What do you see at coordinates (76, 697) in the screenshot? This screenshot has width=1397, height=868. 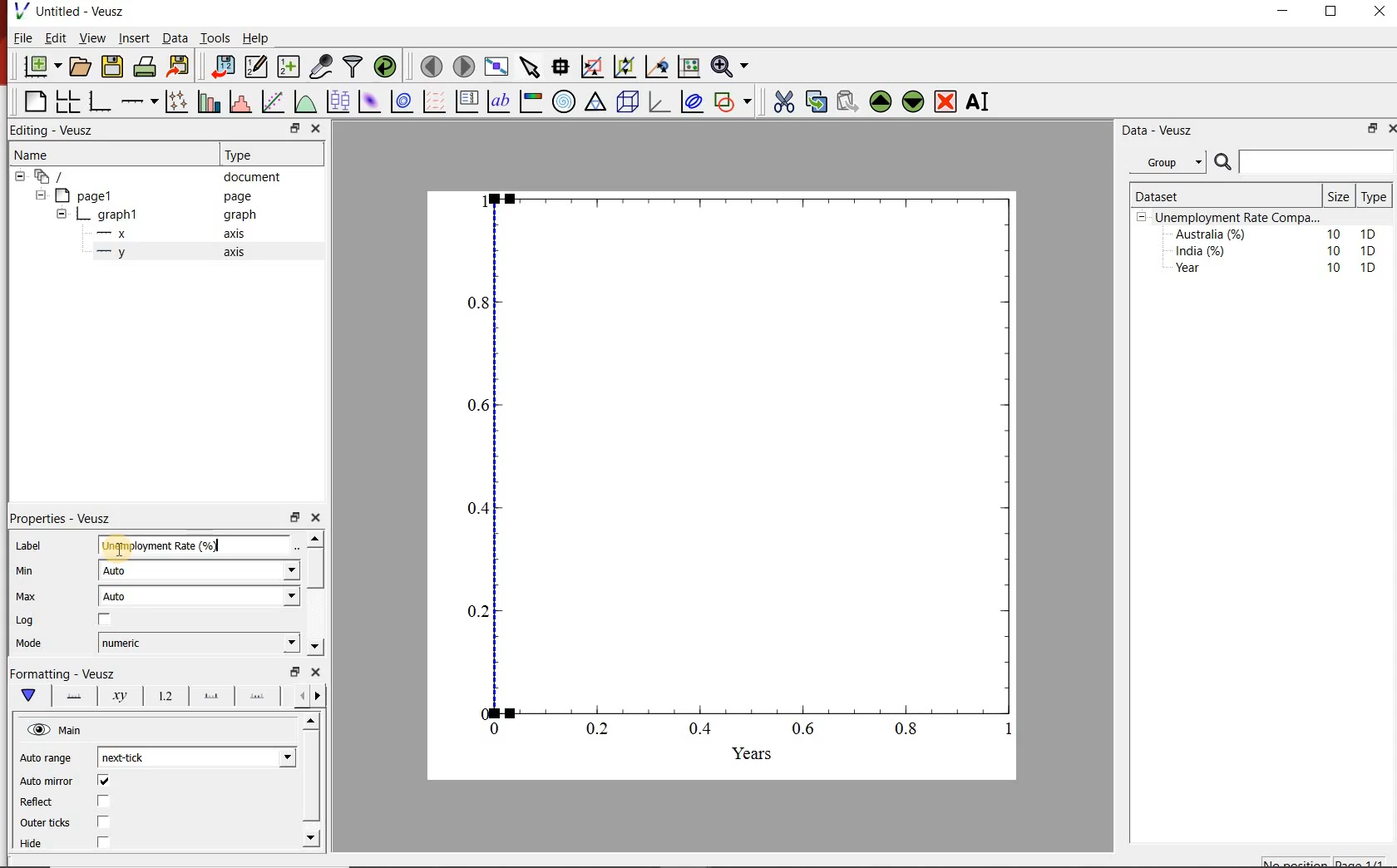 I see `axis lines` at bounding box center [76, 697].